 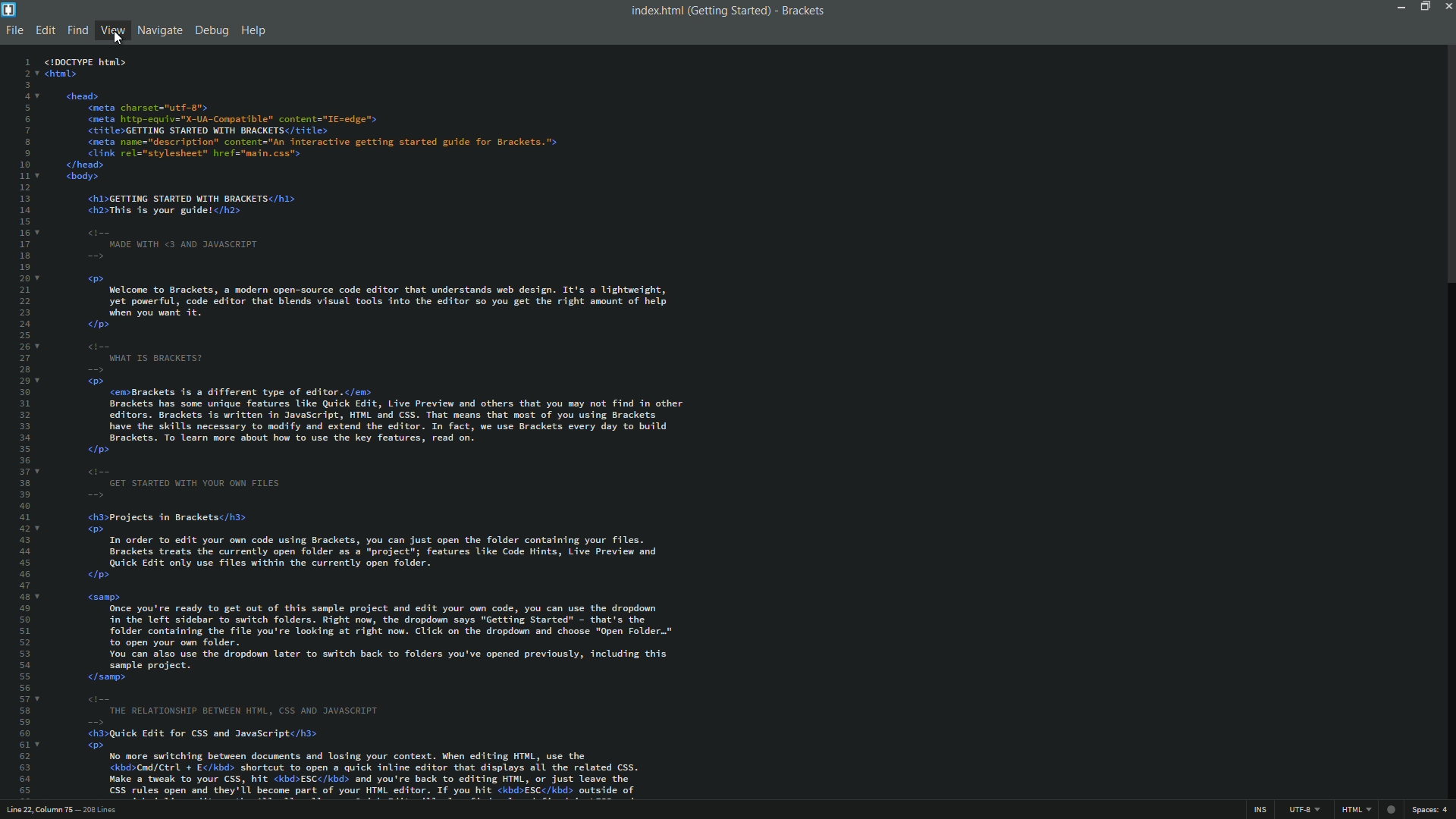 What do you see at coordinates (1400, 7) in the screenshot?
I see `minimize` at bounding box center [1400, 7].